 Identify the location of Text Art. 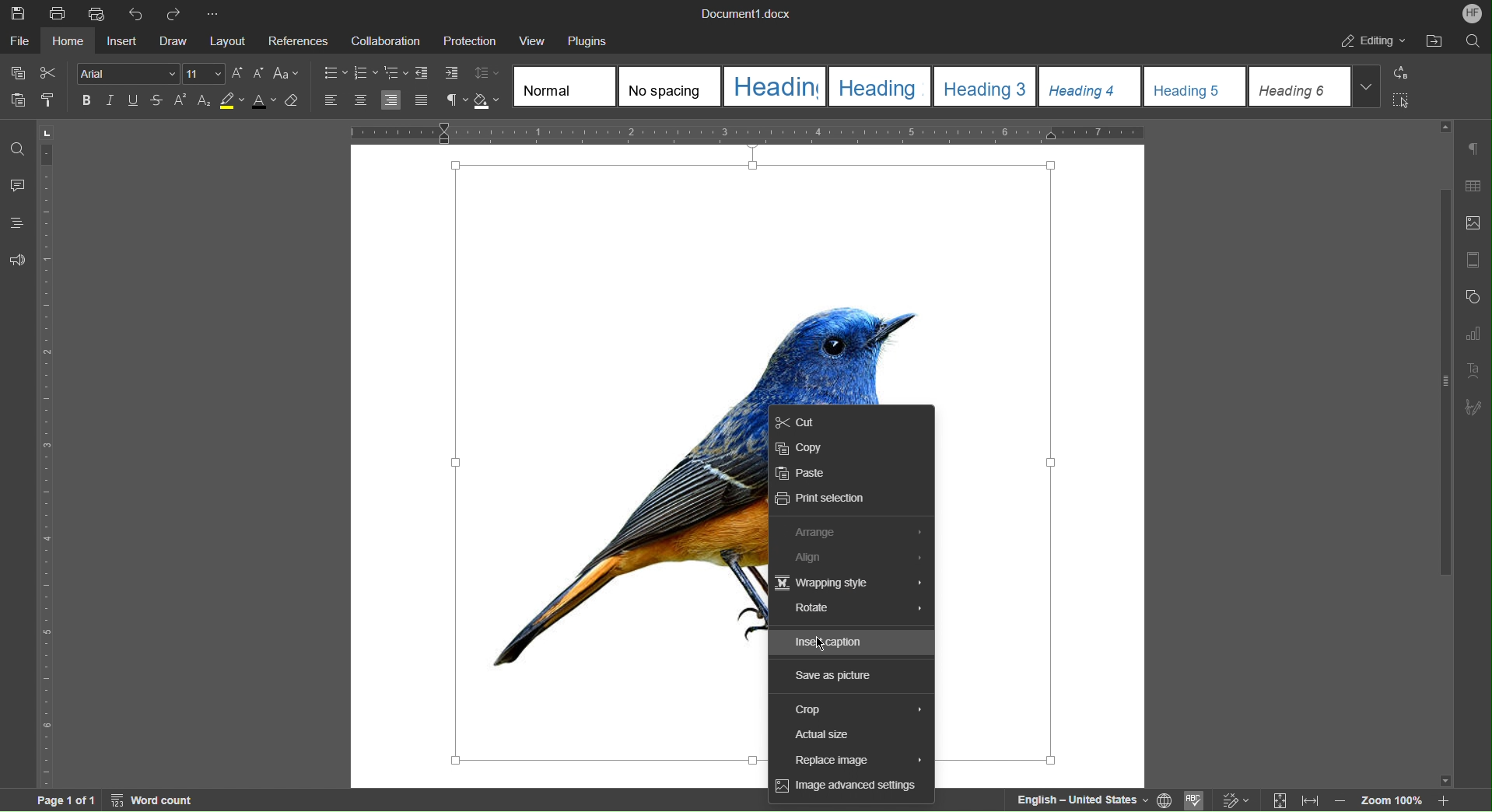
(1472, 370).